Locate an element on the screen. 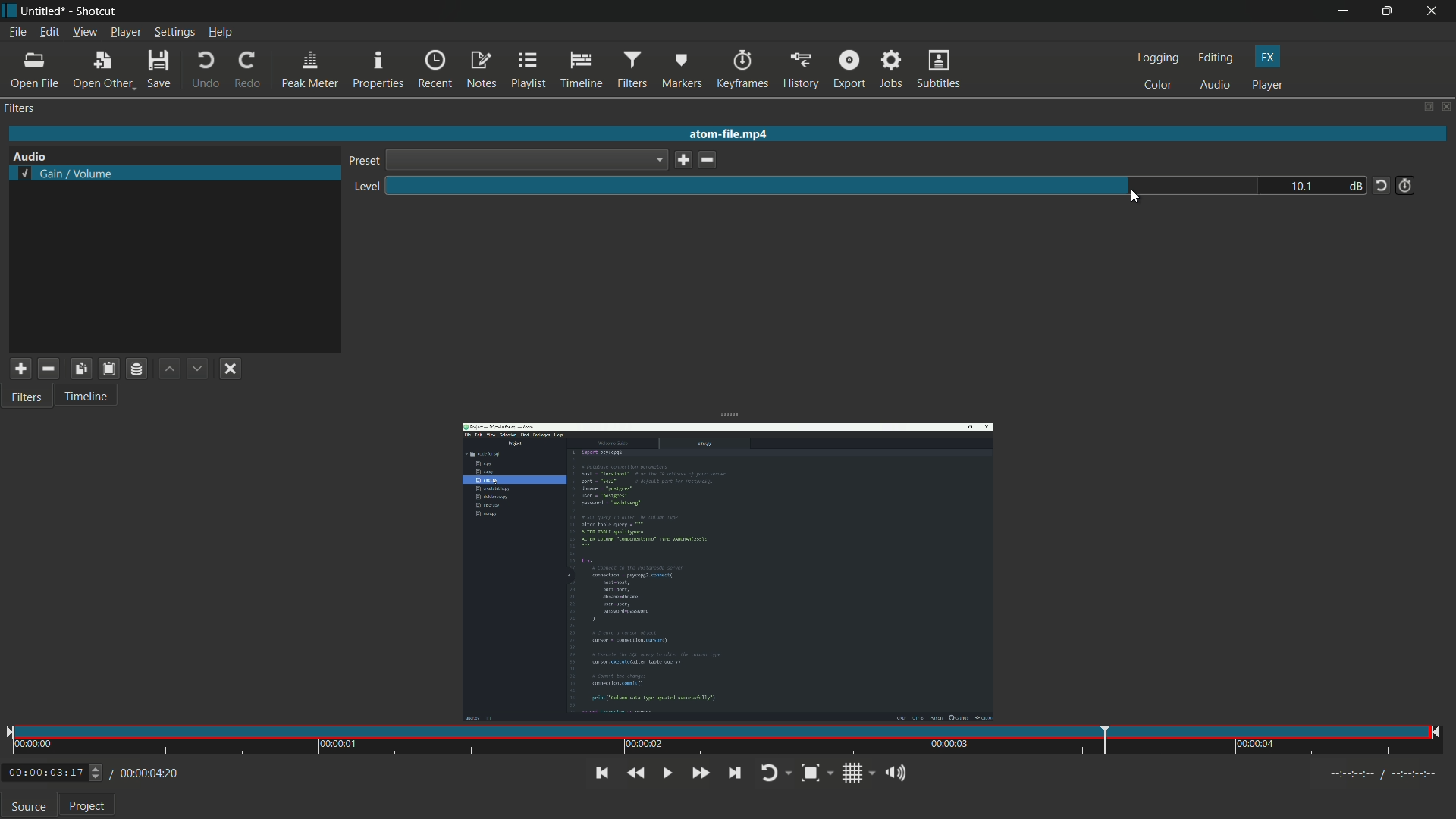  fx is located at coordinates (1267, 58).